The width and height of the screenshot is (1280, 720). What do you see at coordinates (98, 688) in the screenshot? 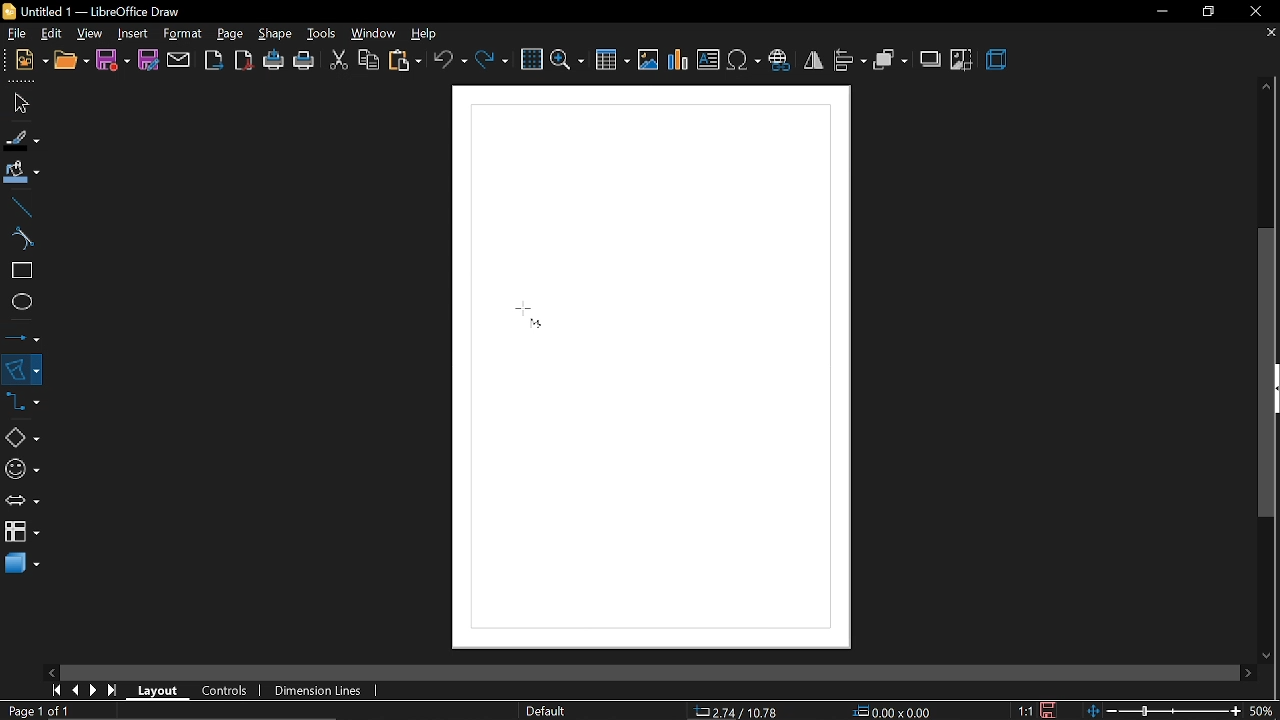
I see `next page` at bounding box center [98, 688].